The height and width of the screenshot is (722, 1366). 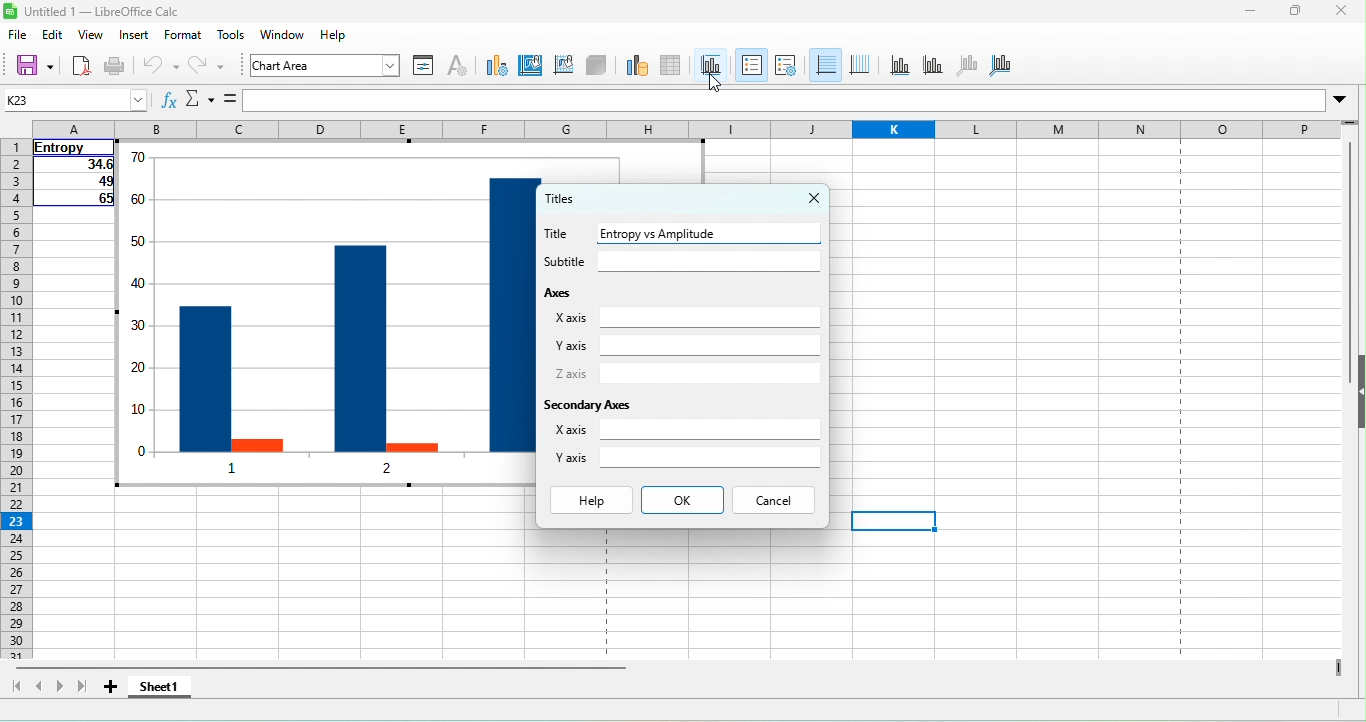 I want to click on amp1, so click(x=260, y=446).